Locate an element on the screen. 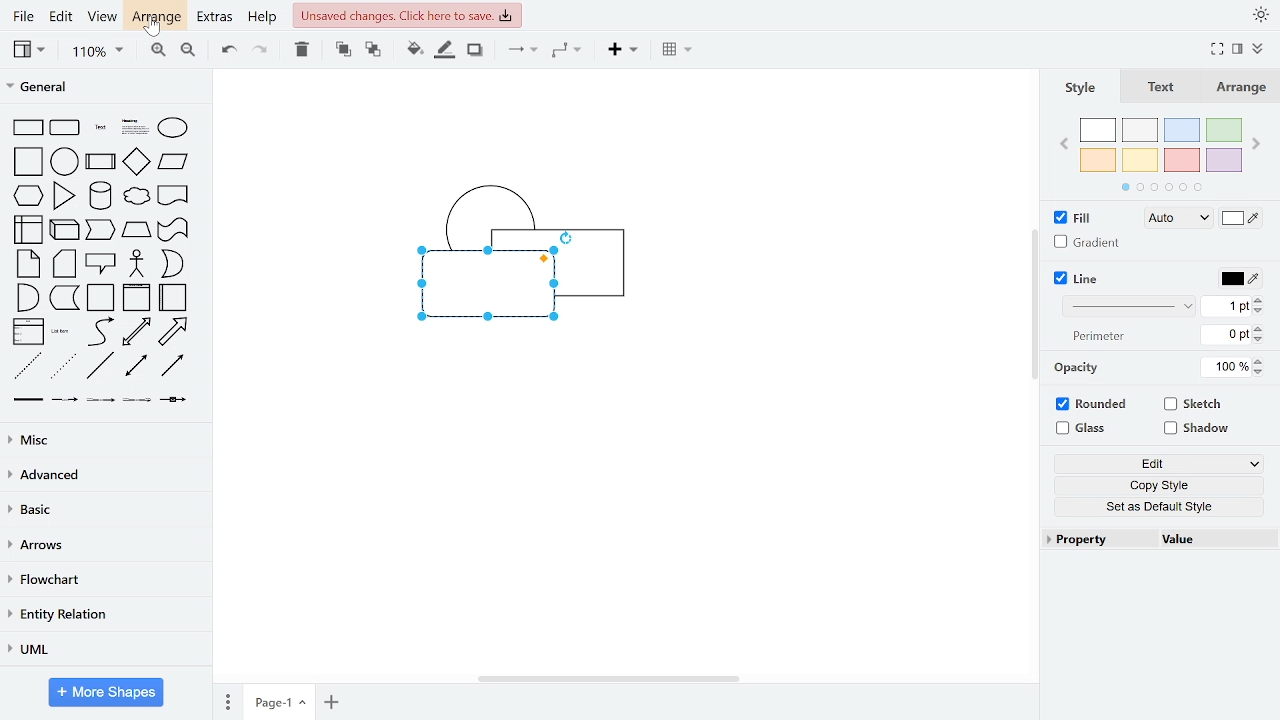  green is located at coordinates (1226, 130).